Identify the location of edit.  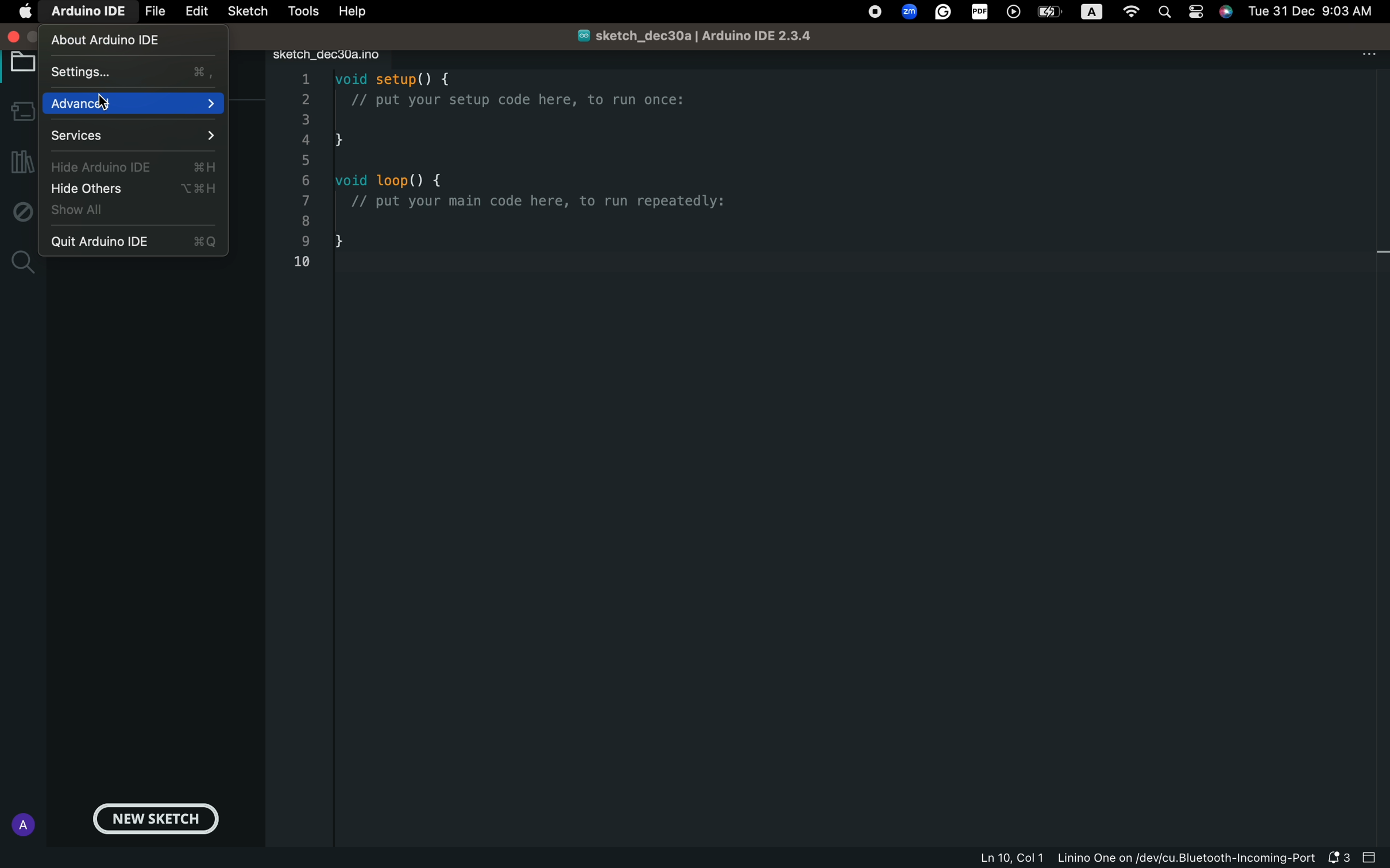
(195, 12).